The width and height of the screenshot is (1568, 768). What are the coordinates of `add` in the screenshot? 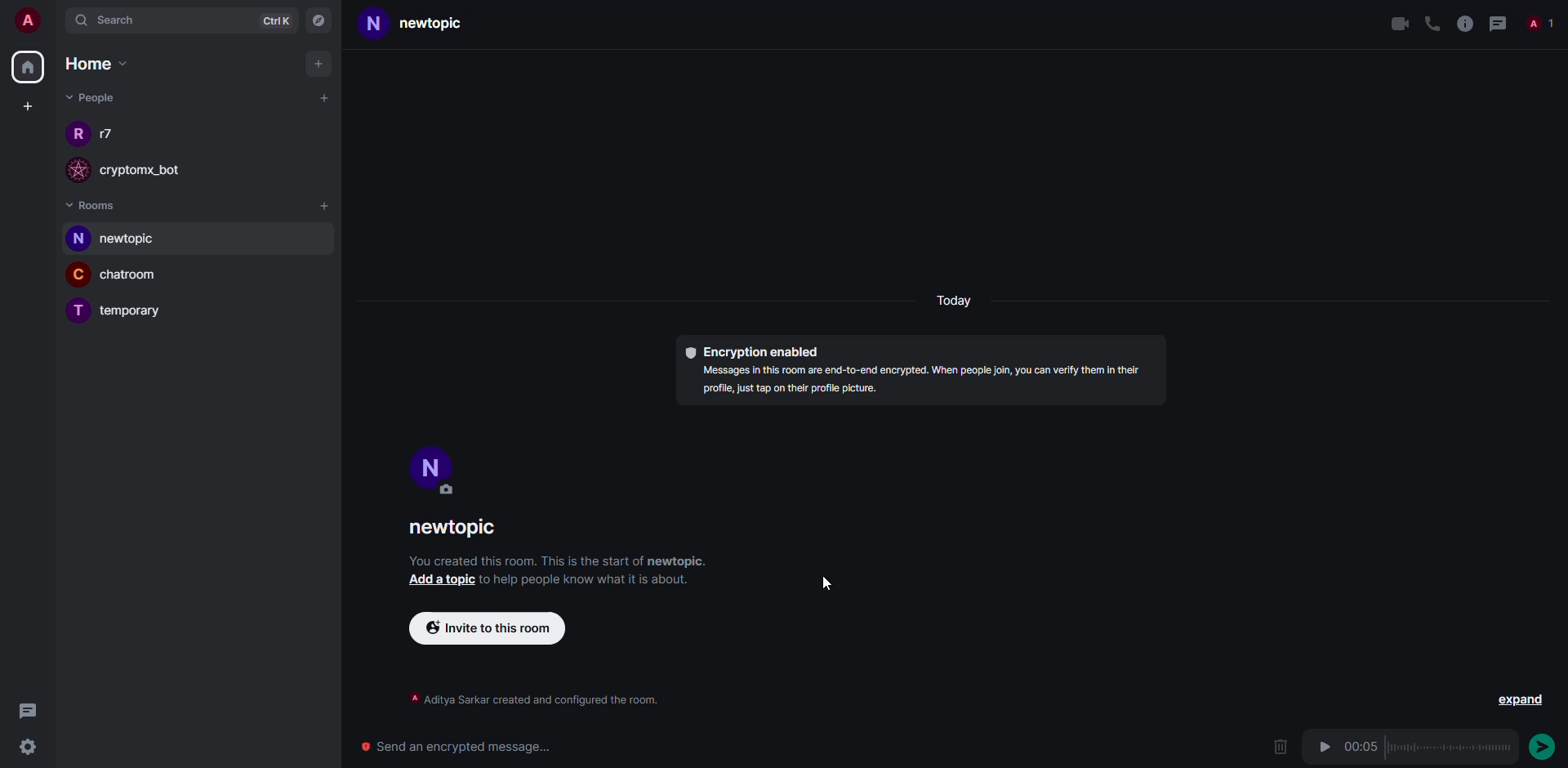 It's located at (316, 63).